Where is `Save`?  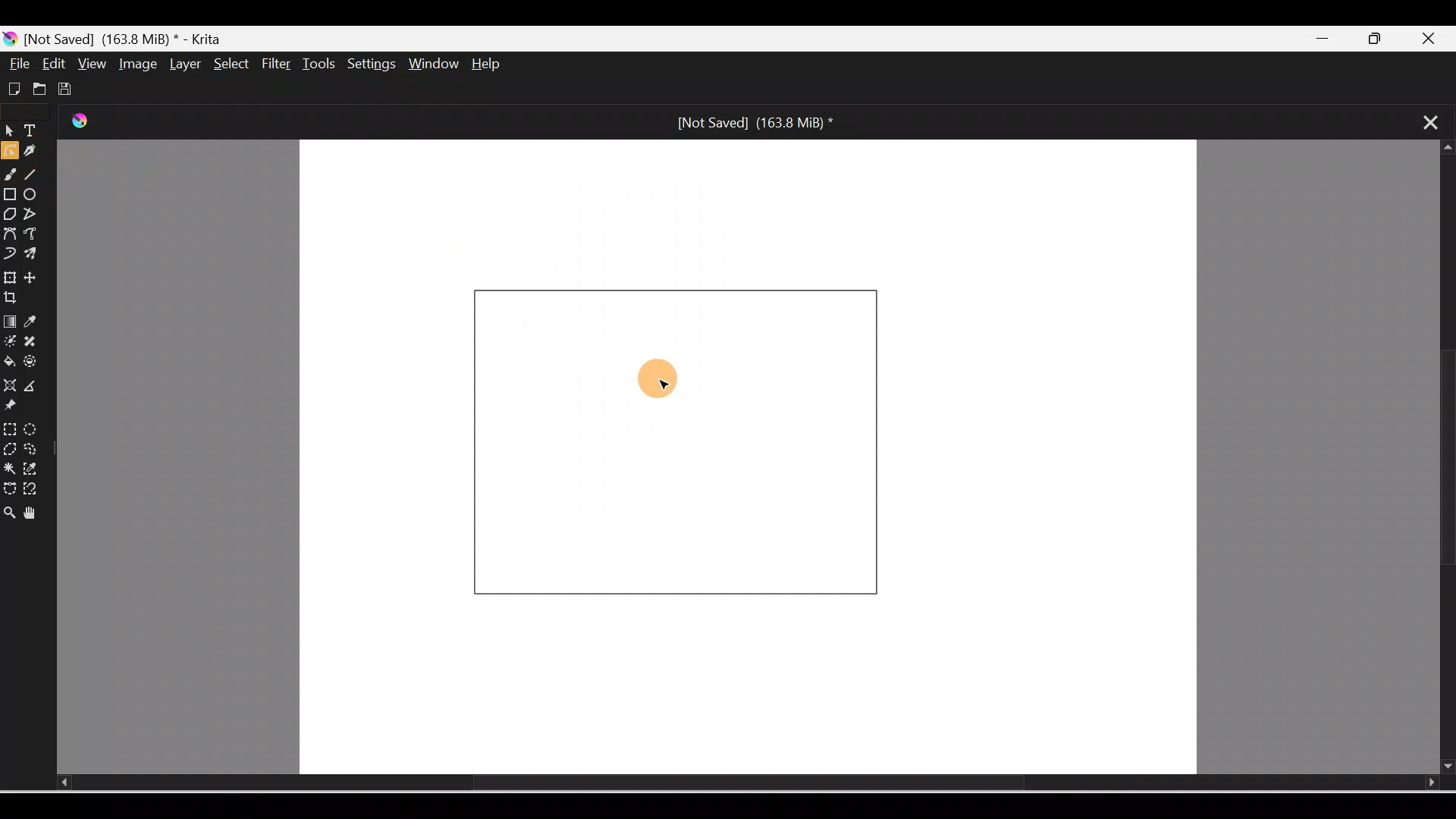 Save is located at coordinates (68, 86).